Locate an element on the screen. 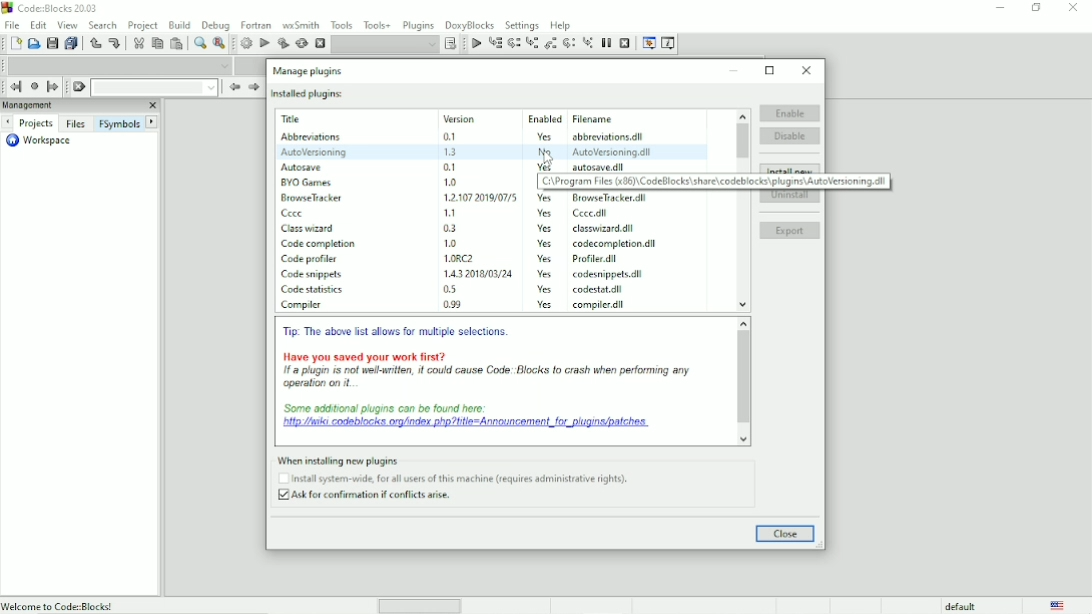  Yes is located at coordinates (545, 304).